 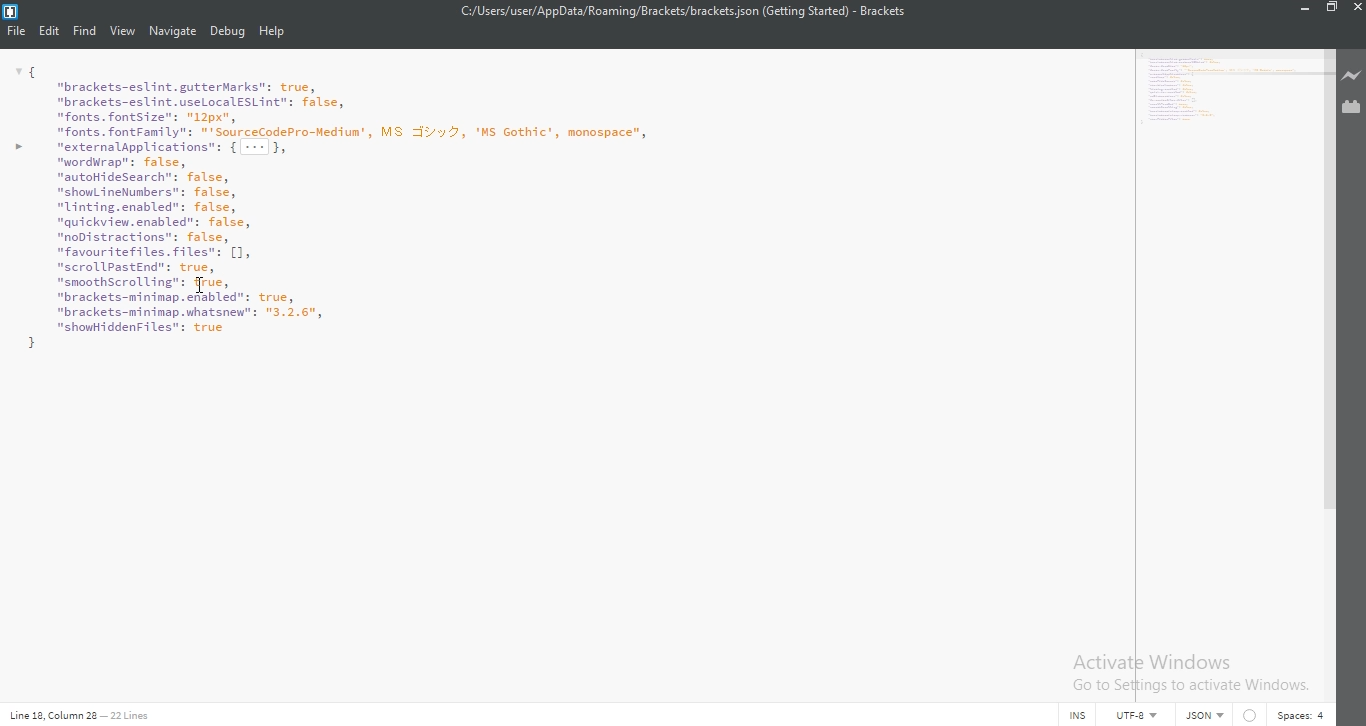 What do you see at coordinates (1202, 716) in the screenshot?
I see `JSON` at bounding box center [1202, 716].